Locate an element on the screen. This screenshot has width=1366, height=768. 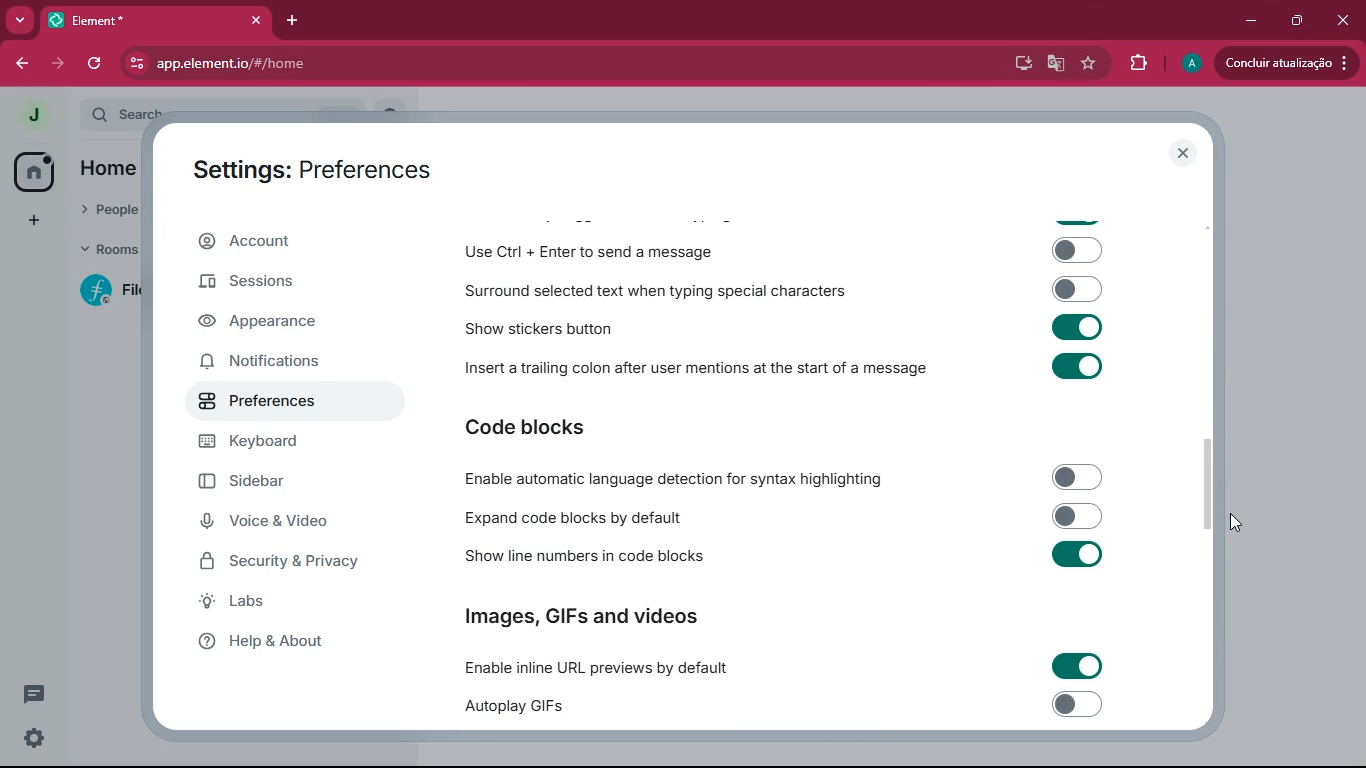
forward is located at coordinates (62, 63).